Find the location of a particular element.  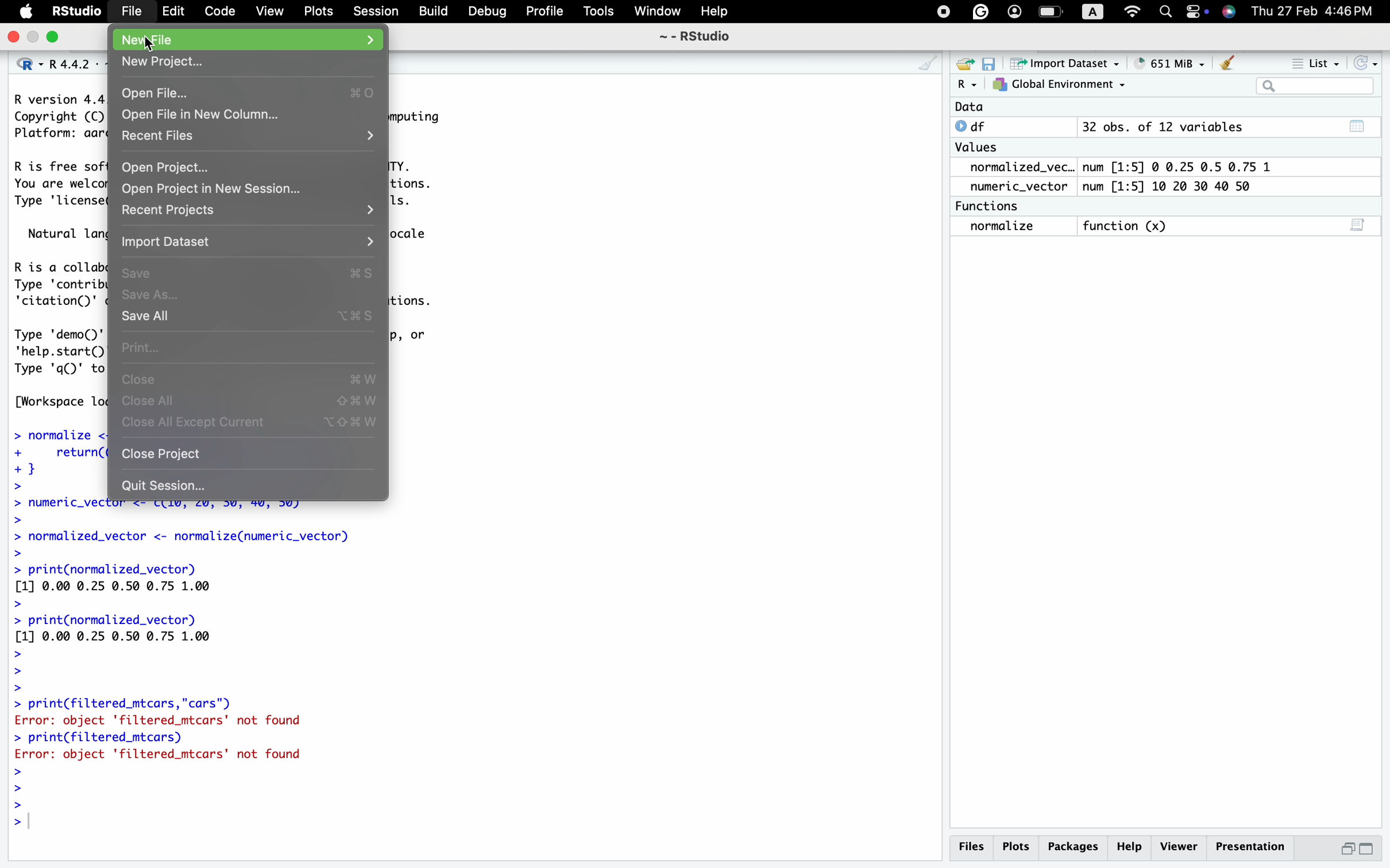

Close all except current is located at coordinates (252, 427).